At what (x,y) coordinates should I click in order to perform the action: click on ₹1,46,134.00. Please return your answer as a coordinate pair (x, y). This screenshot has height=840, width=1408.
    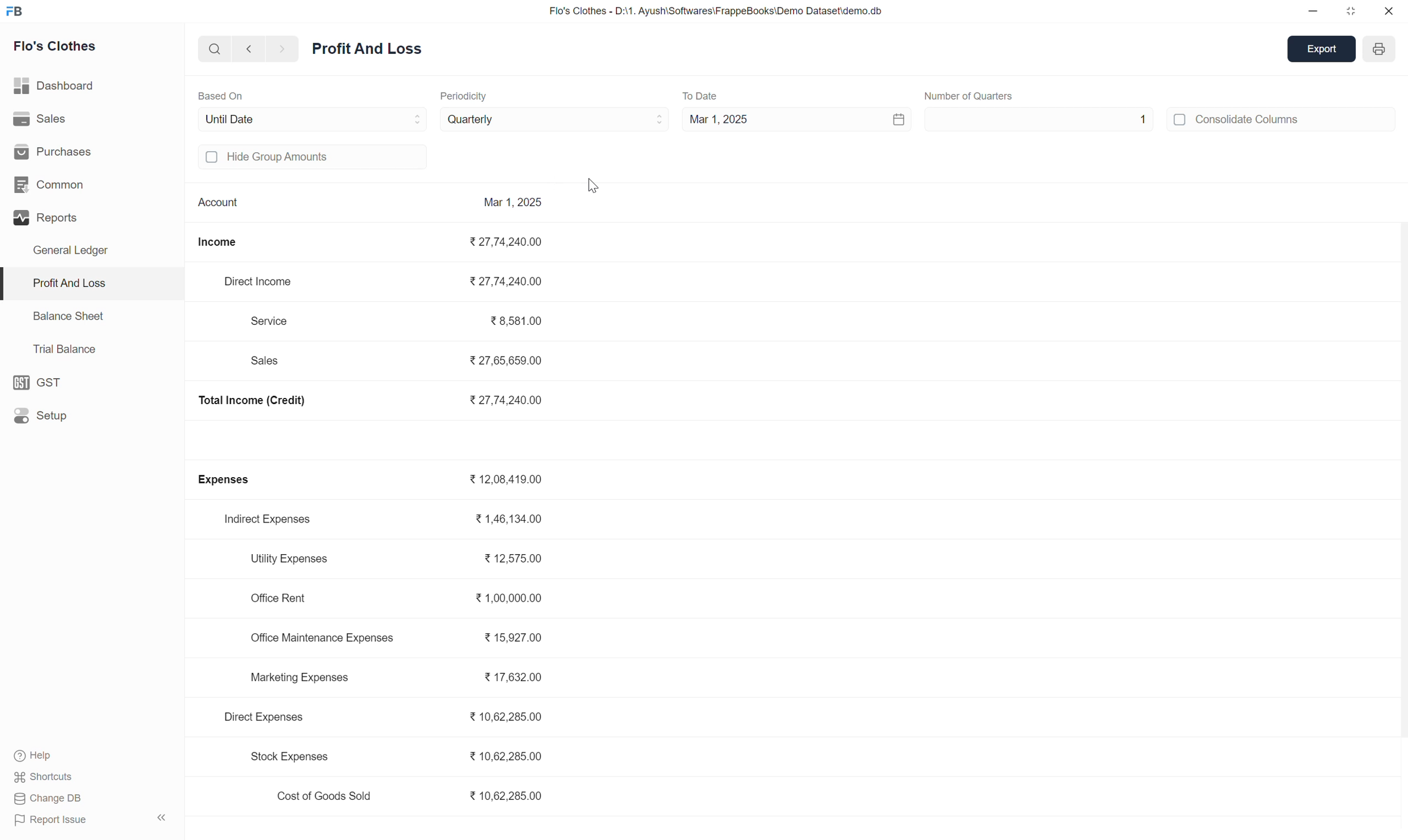
    Looking at the image, I should click on (507, 522).